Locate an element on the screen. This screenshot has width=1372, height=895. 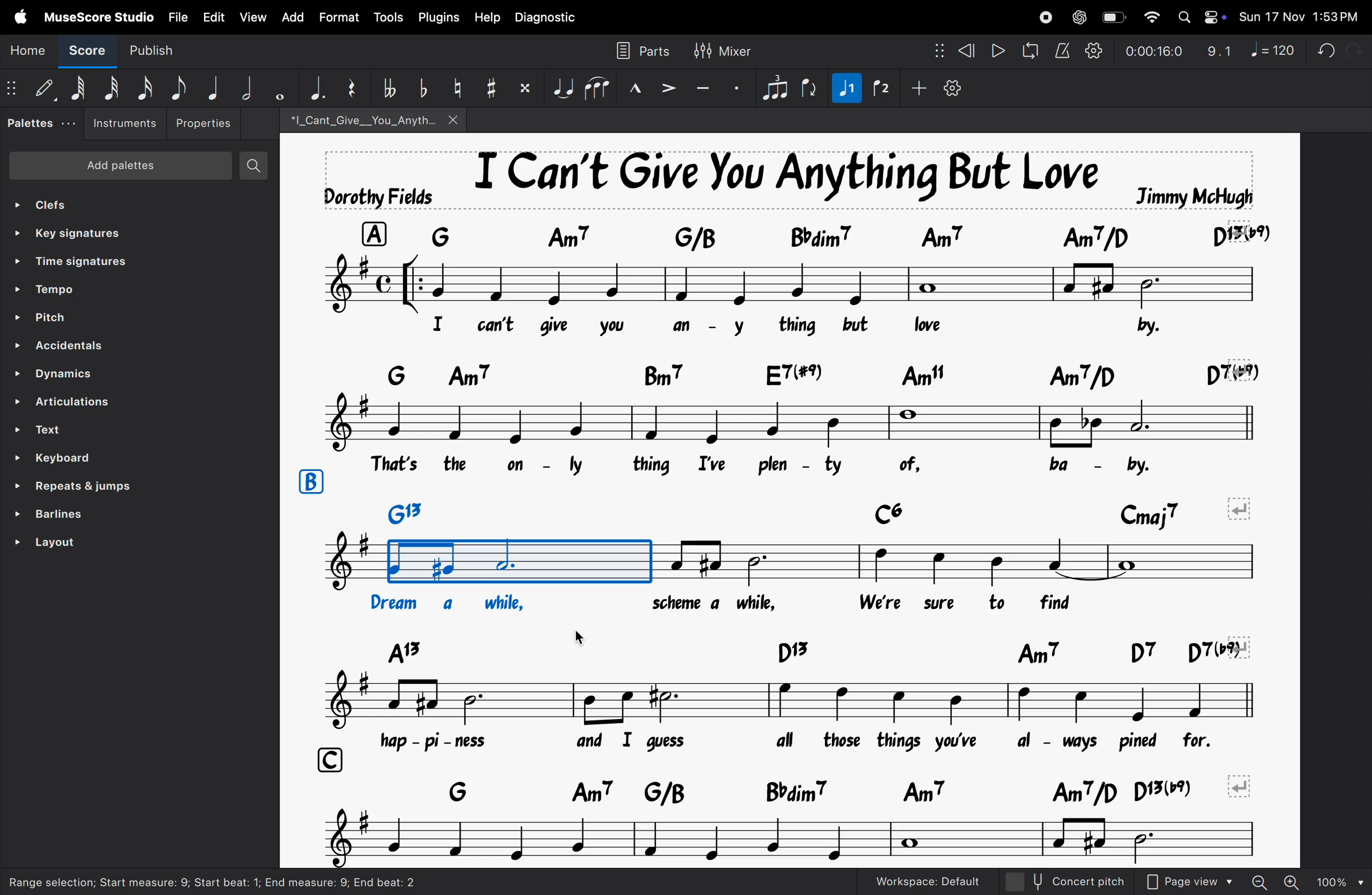
search is located at coordinates (255, 164).